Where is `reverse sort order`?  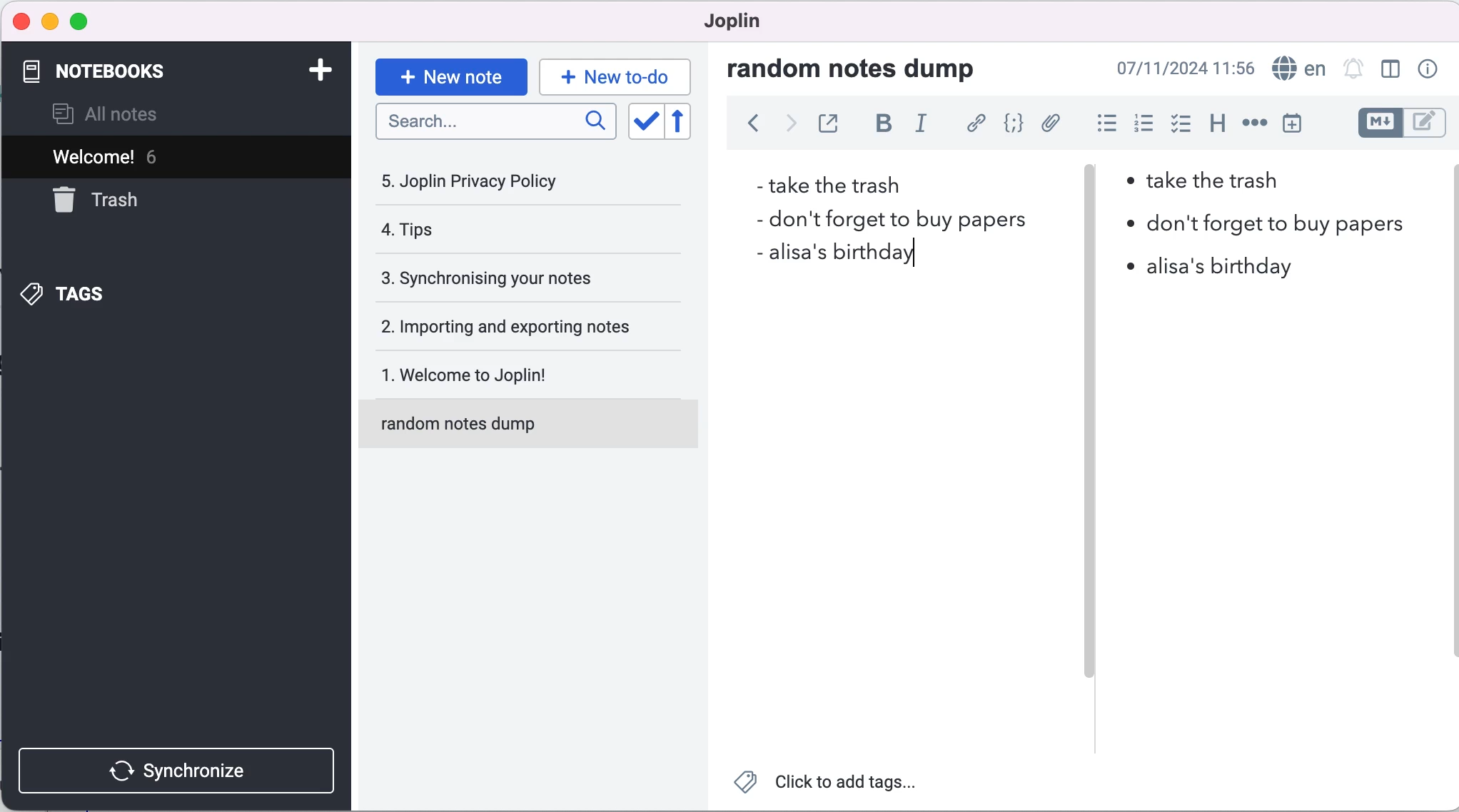
reverse sort order is located at coordinates (690, 122).